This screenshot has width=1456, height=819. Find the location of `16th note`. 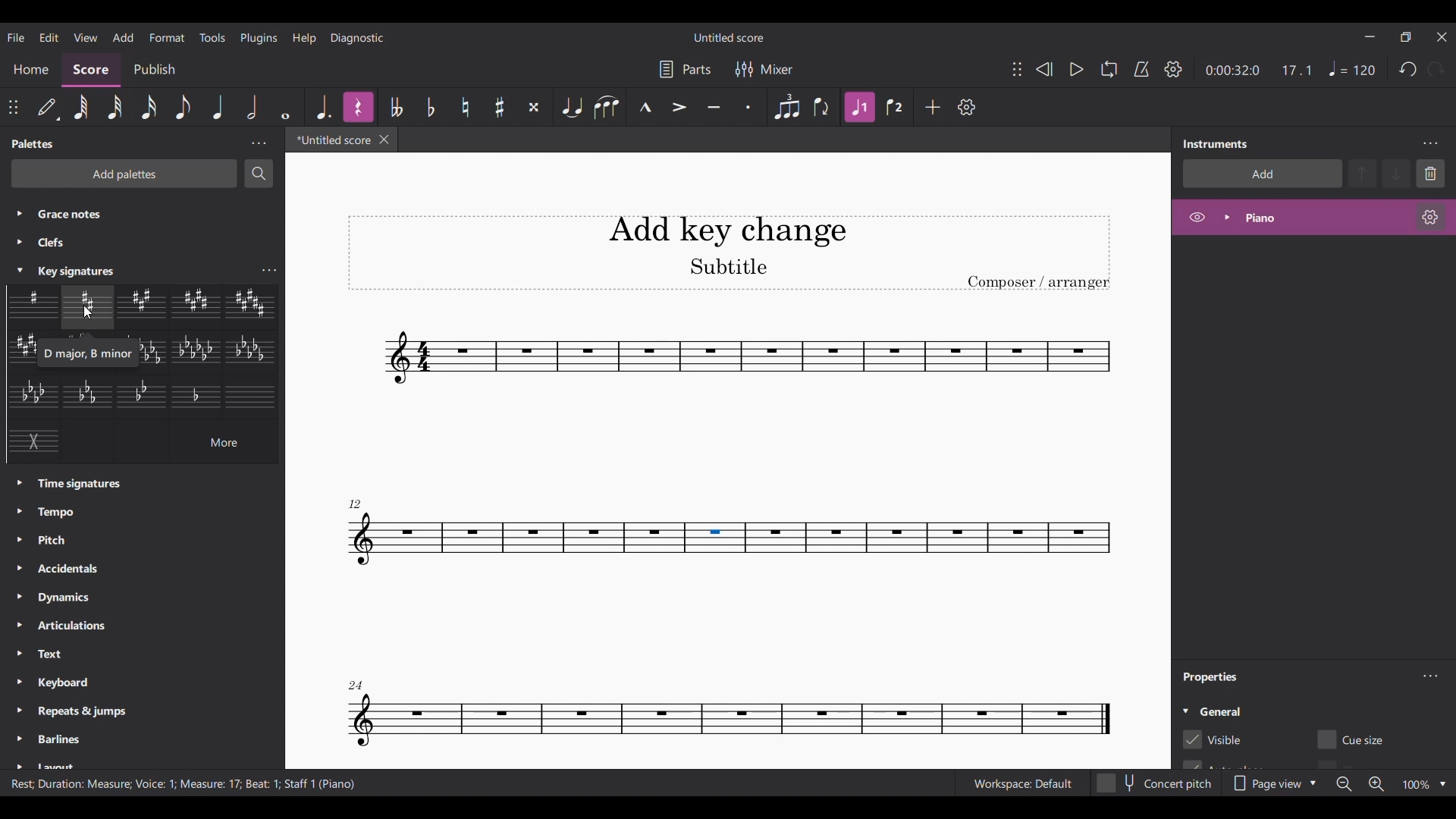

16th note is located at coordinates (149, 107).